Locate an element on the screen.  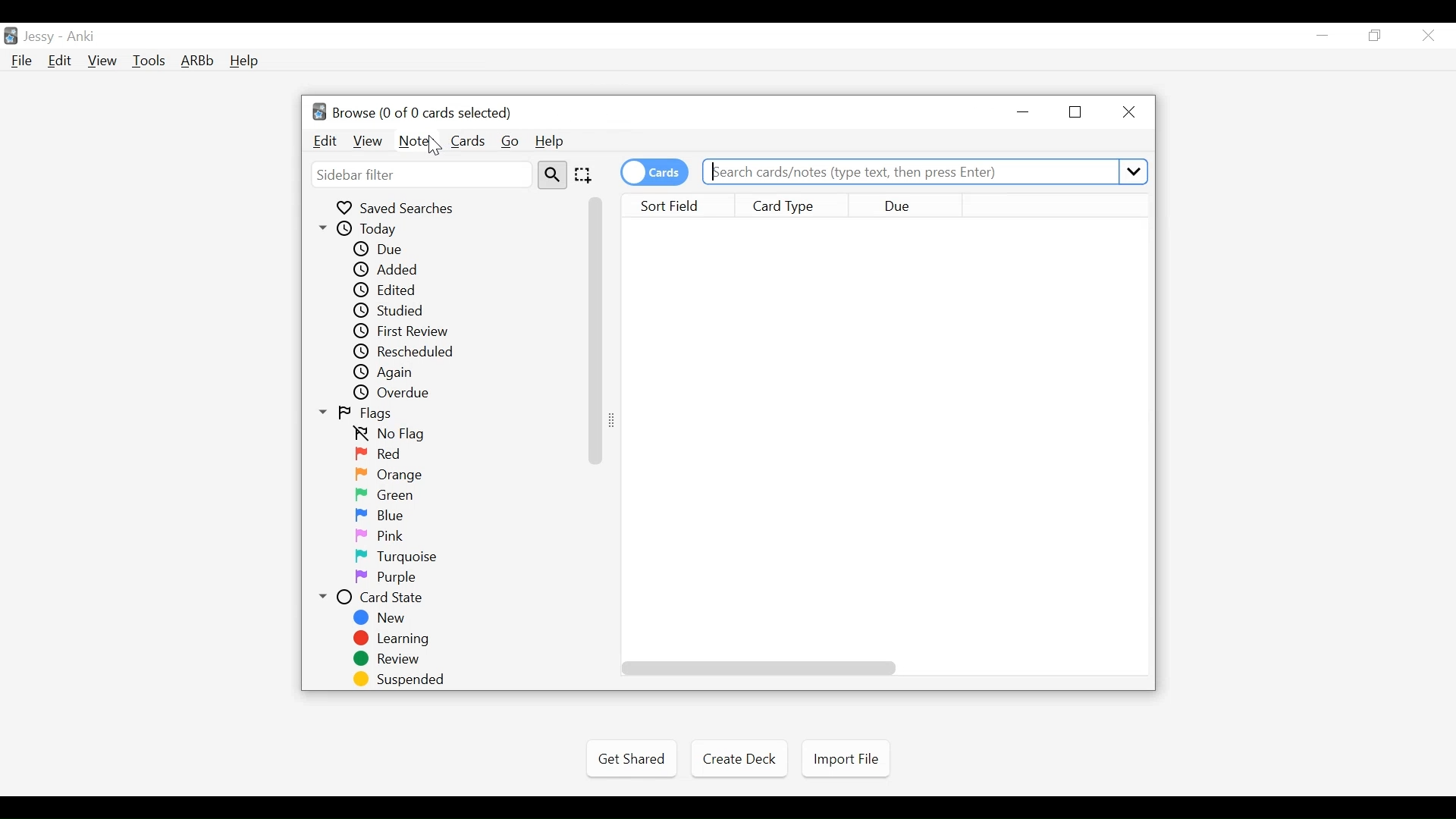
Application logo is located at coordinates (319, 111).